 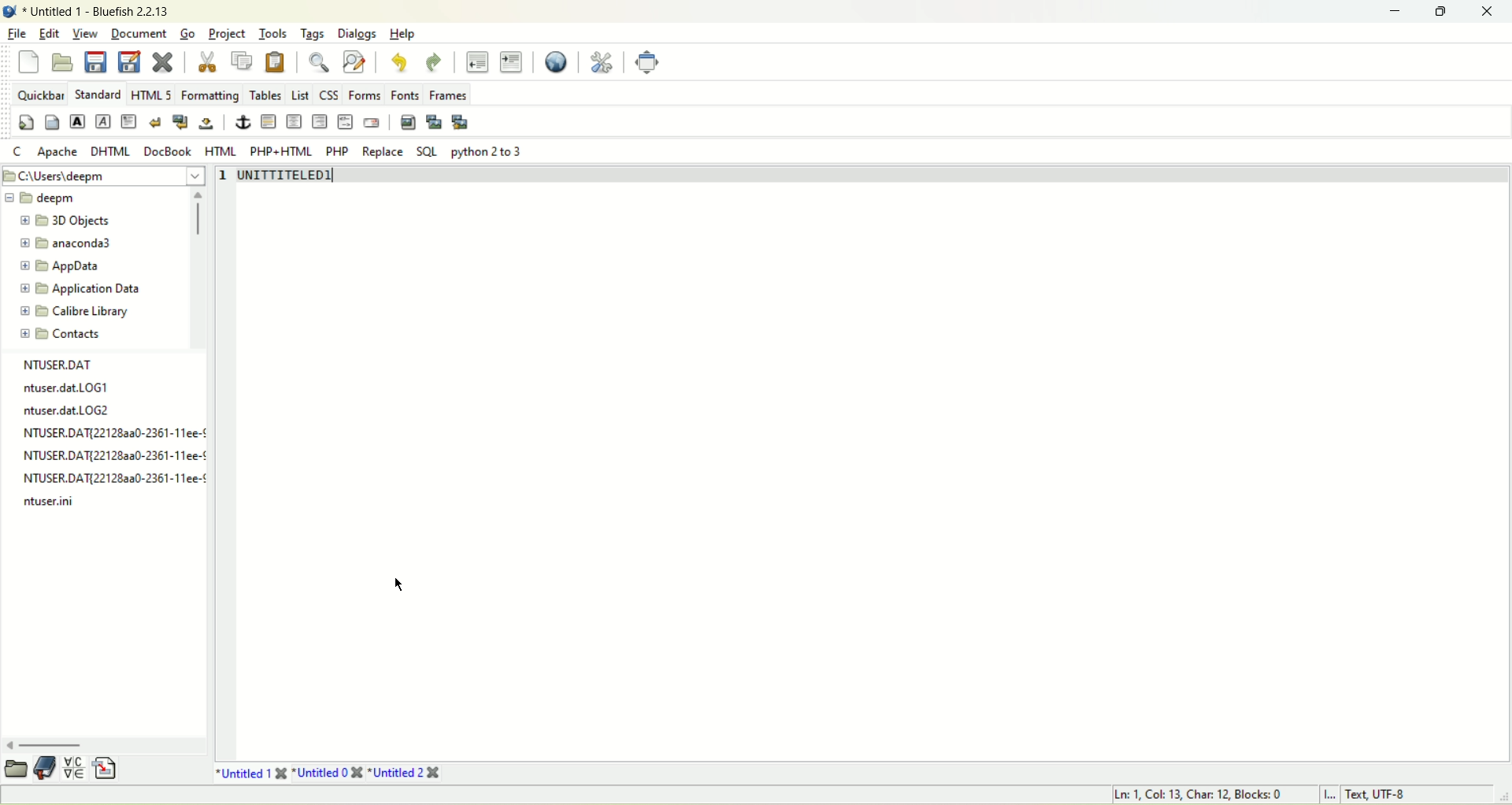 I want to click on bluefish logo, so click(x=11, y=10).